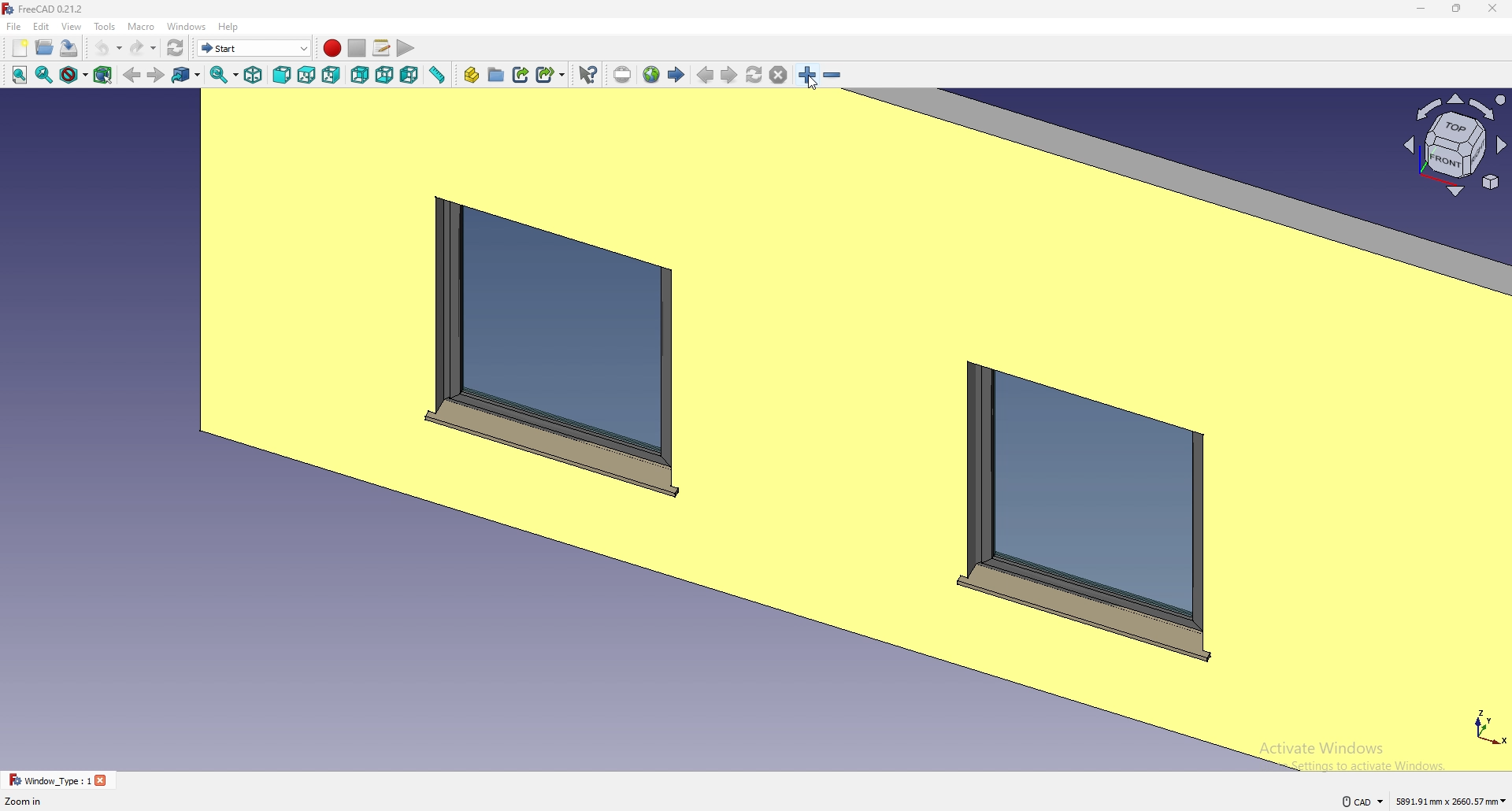  Describe the element at coordinates (28, 802) in the screenshot. I see `description` at that location.